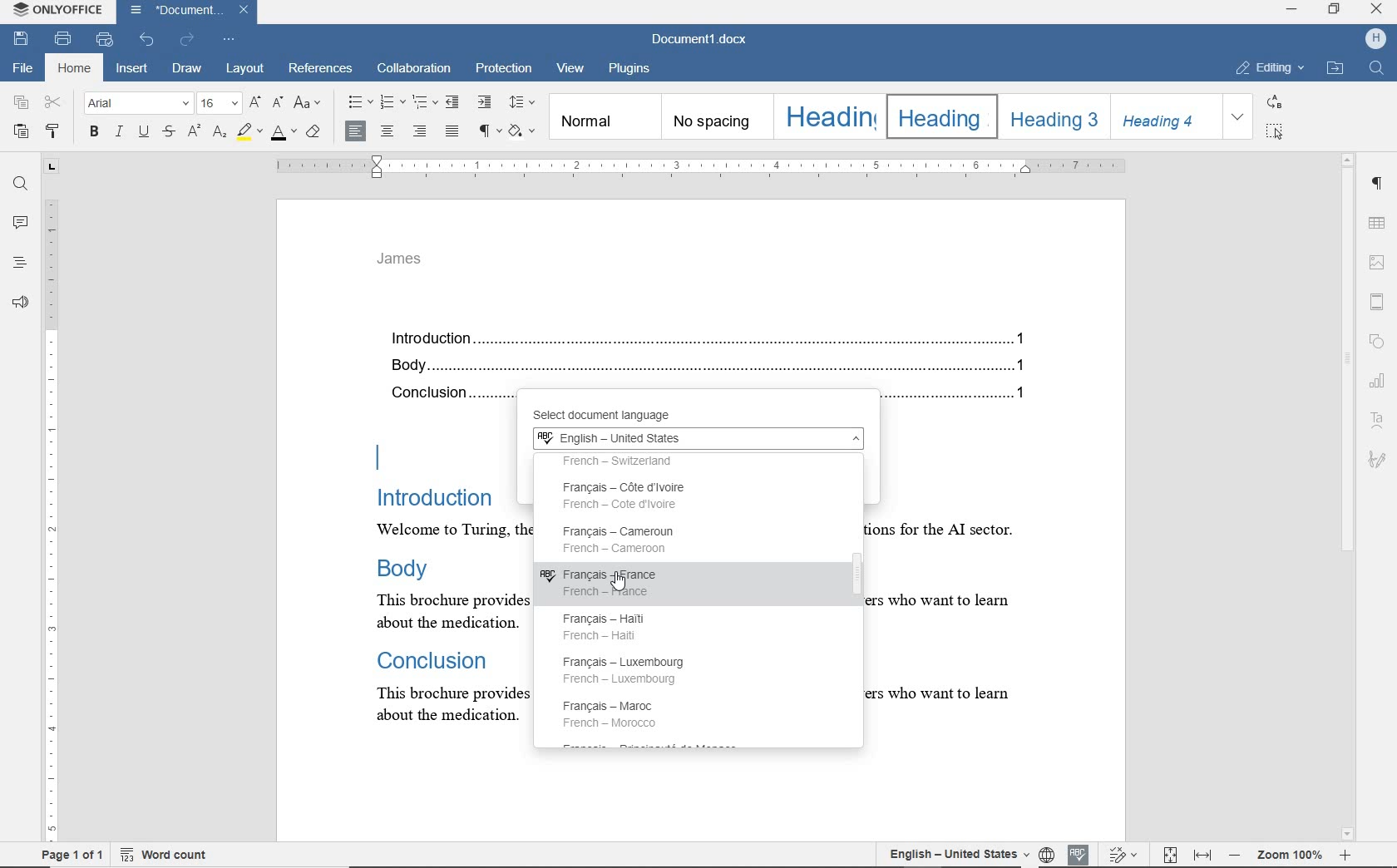 This screenshot has height=868, width=1397. Describe the element at coordinates (393, 102) in the screenshot. I see `numbering` at that location.